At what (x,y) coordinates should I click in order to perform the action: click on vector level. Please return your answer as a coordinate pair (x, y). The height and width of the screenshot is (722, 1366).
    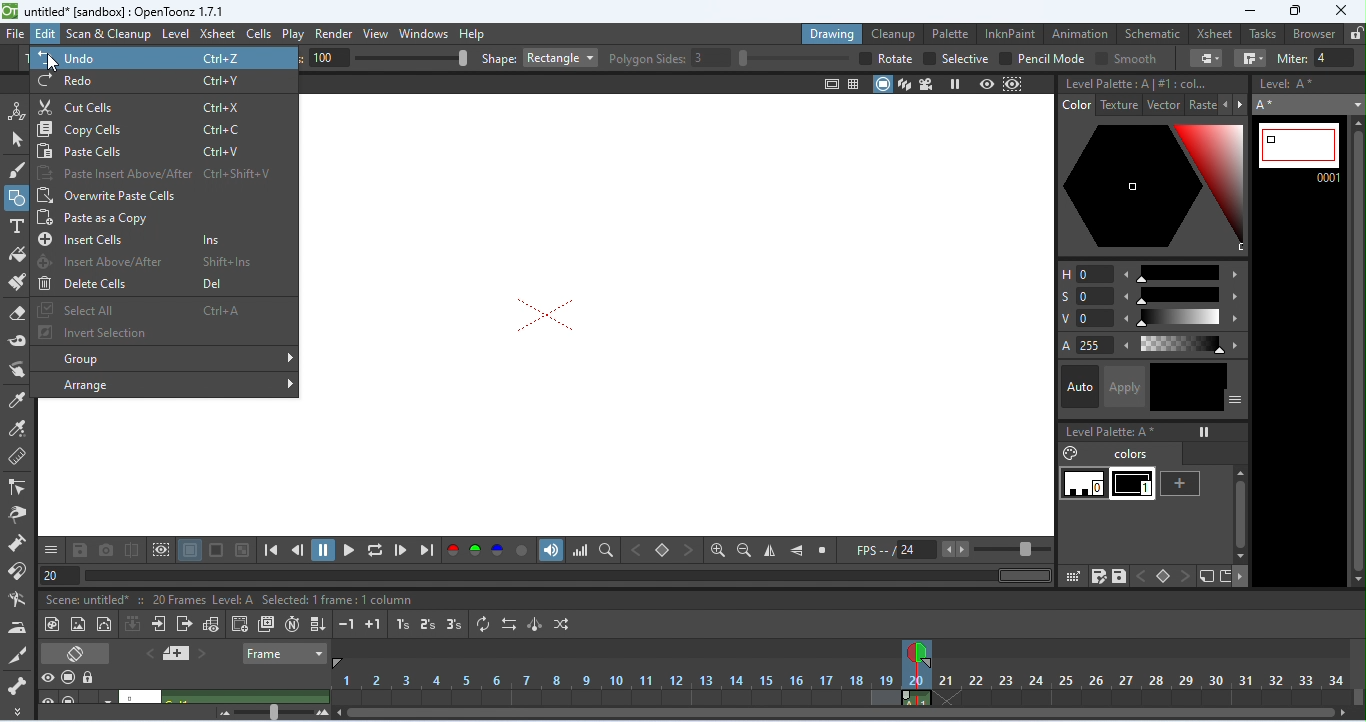
    Looking at the image, I should click on (105, 623).